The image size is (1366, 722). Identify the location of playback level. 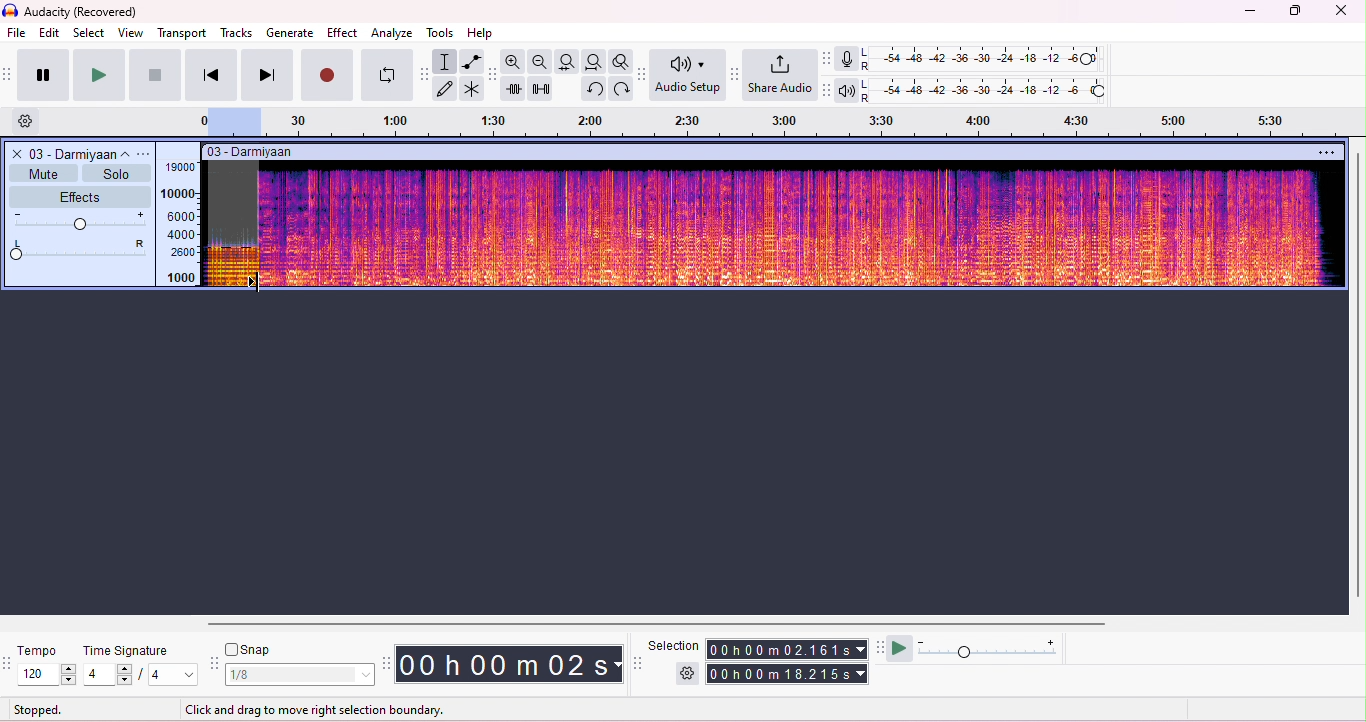
(988, 90).